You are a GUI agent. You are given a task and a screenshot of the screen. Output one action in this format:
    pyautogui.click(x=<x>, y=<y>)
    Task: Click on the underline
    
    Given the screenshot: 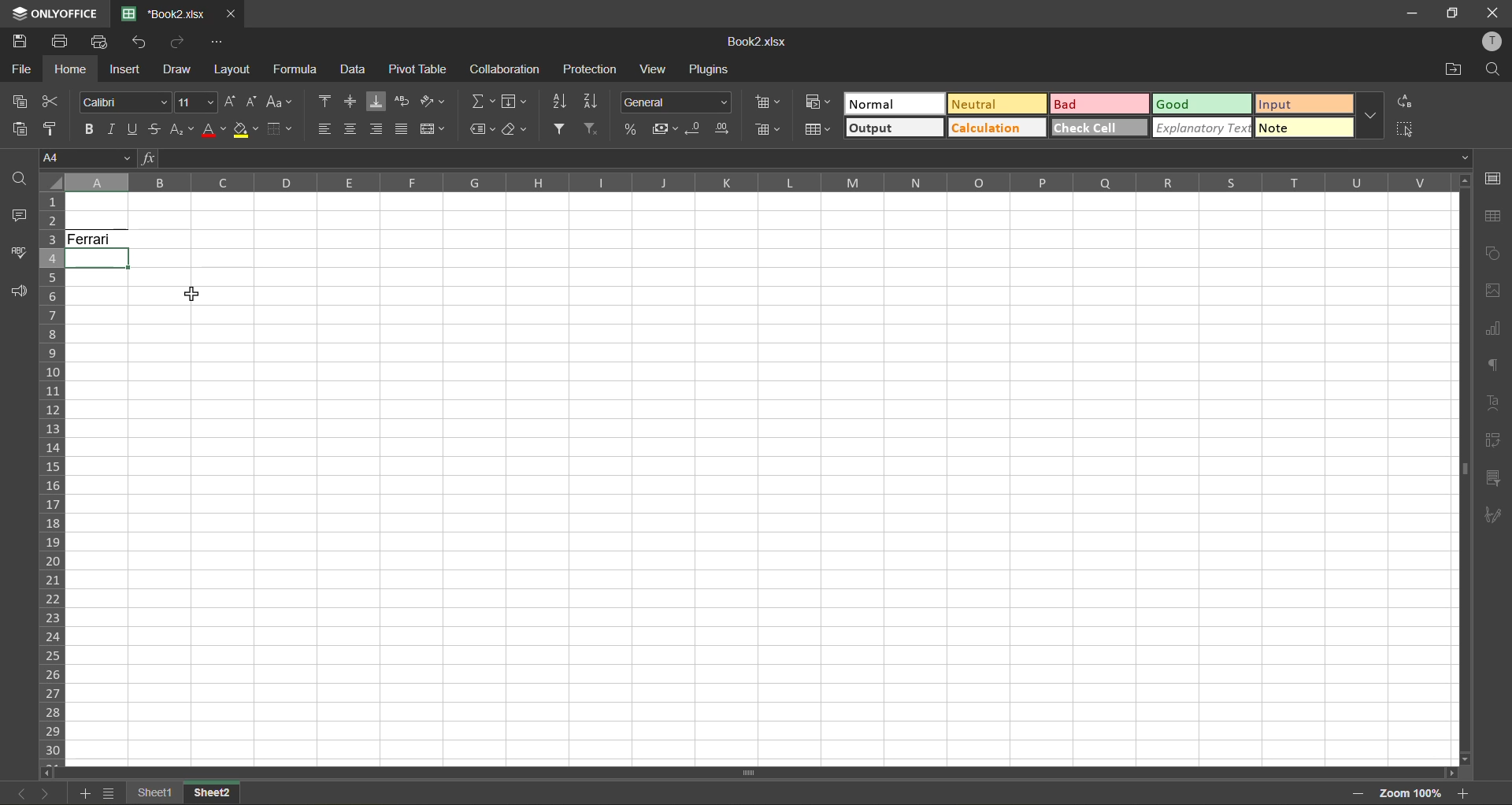 What is the action you would take?
    pyautogui.click(x=134, y=130)
    